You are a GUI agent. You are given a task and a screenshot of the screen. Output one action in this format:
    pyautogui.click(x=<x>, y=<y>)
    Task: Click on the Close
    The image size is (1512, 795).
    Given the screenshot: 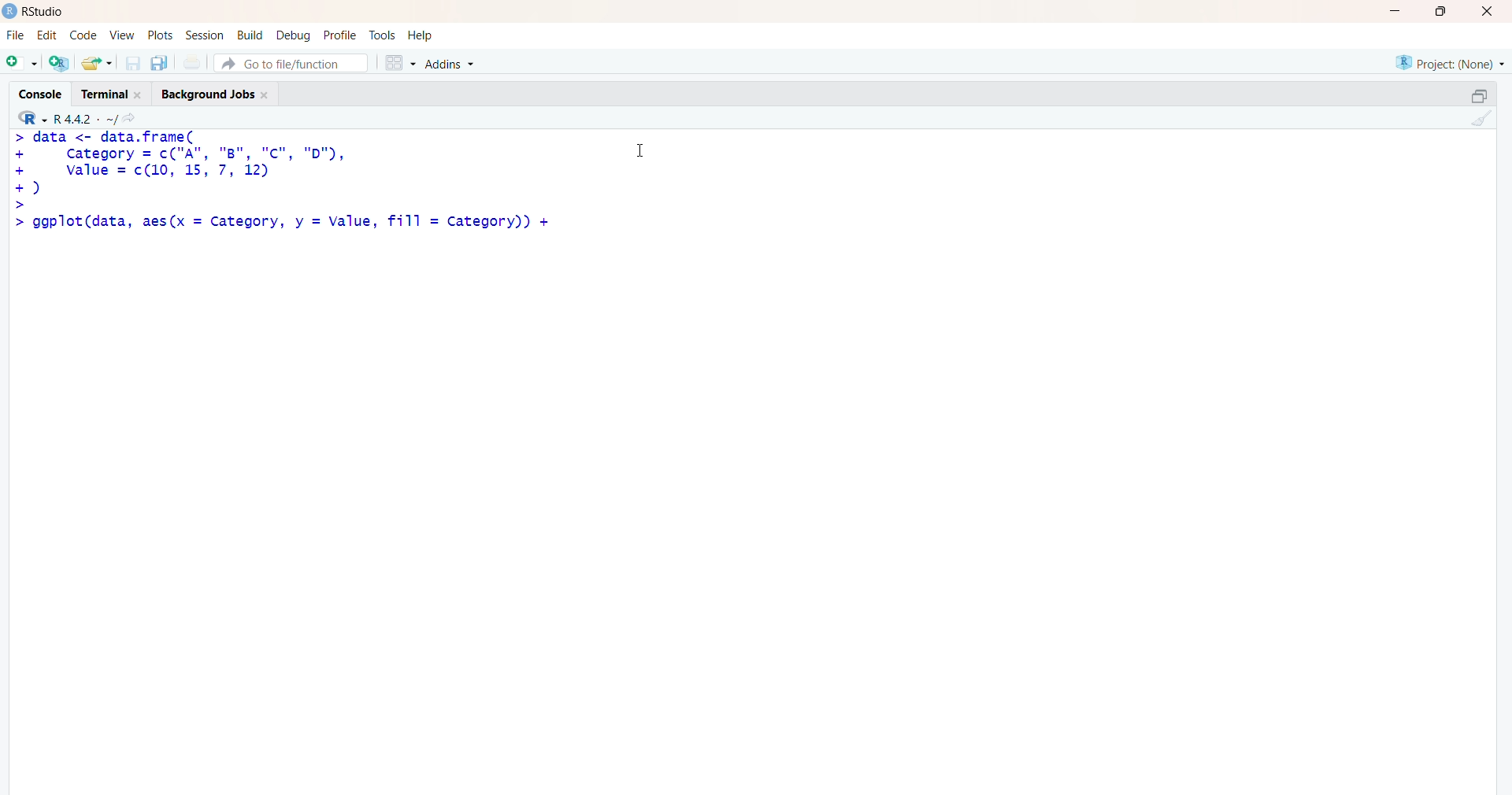 What is the action you would take?
    pyautogui.click(x=1484, y=11)
    